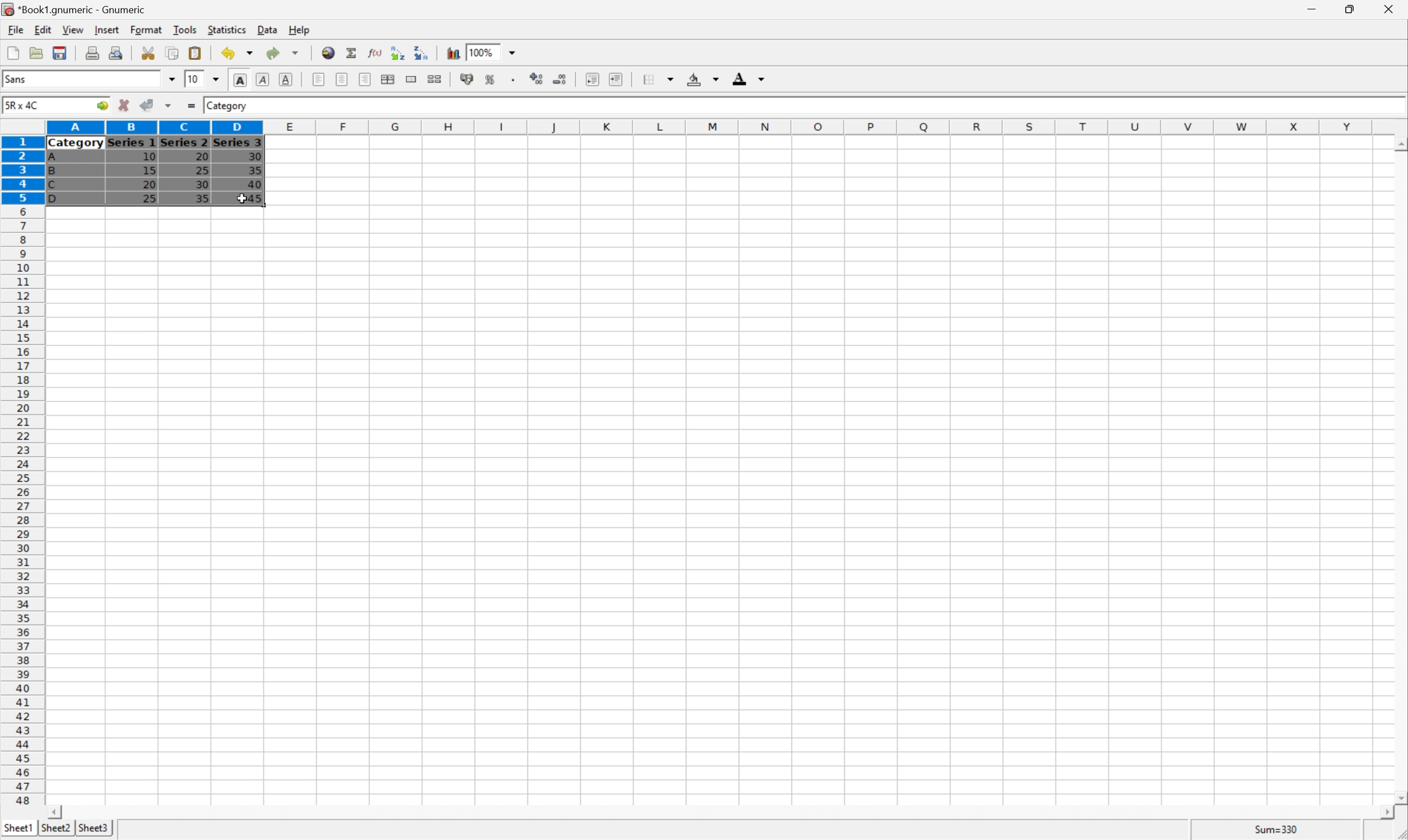  Describe the element at coordinates (1383, 813) in the screenshot. I see `Scroll Right` at that location.